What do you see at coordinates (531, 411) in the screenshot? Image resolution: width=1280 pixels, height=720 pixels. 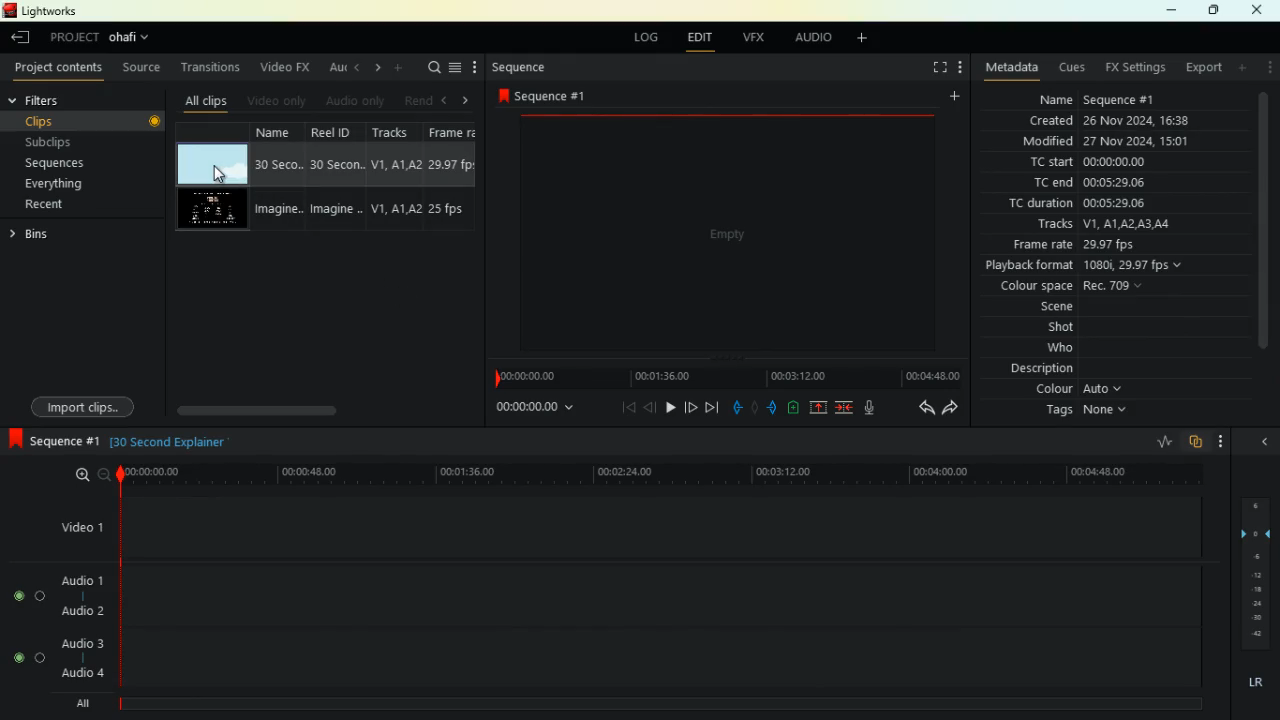 I see `time` at bounding box center [531, 411].